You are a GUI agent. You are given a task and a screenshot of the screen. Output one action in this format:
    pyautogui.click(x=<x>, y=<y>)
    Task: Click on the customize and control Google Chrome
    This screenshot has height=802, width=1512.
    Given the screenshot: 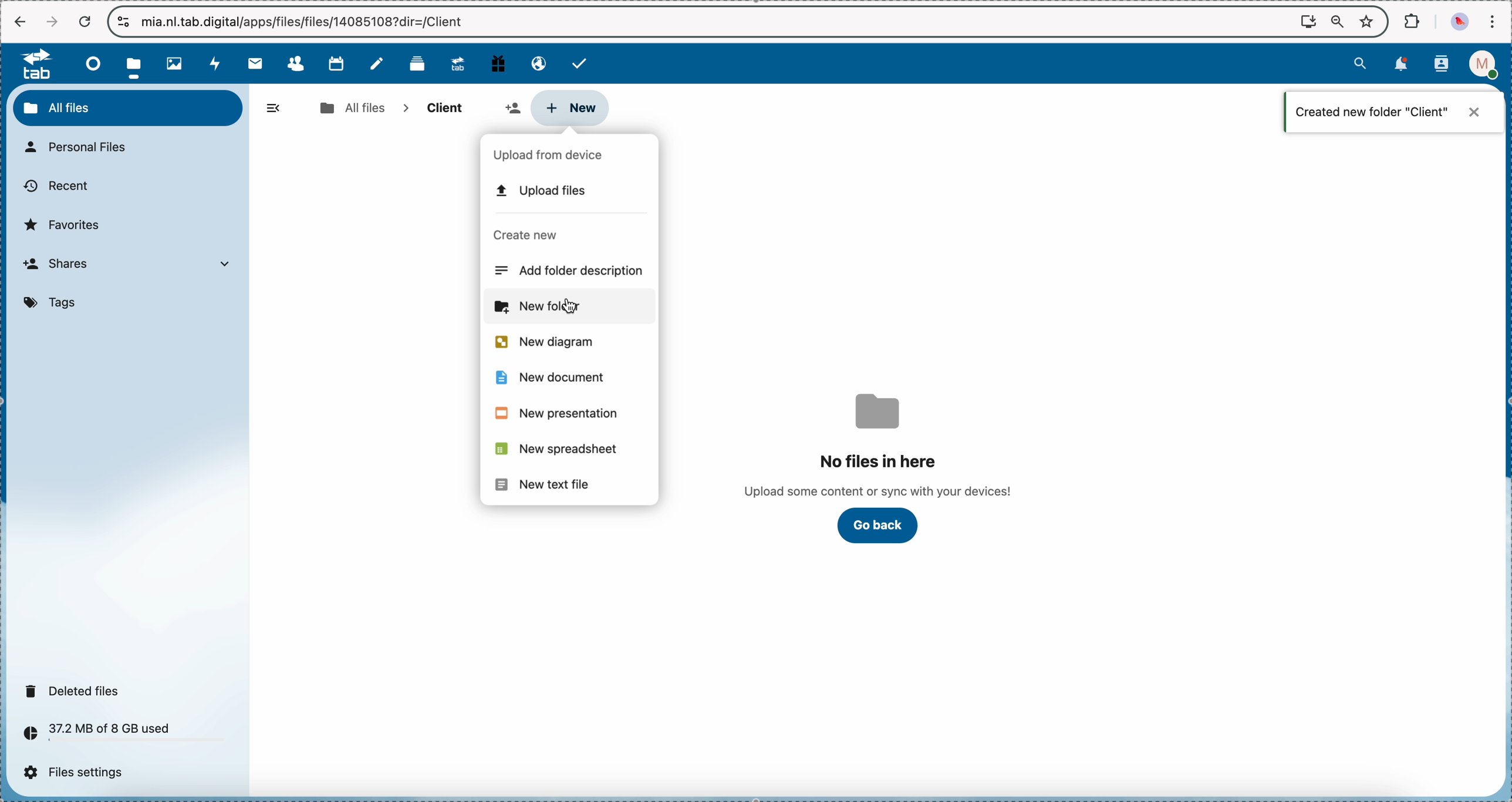 What is the action you would take?
    pyautogui.click(x=1491, y=21)
    